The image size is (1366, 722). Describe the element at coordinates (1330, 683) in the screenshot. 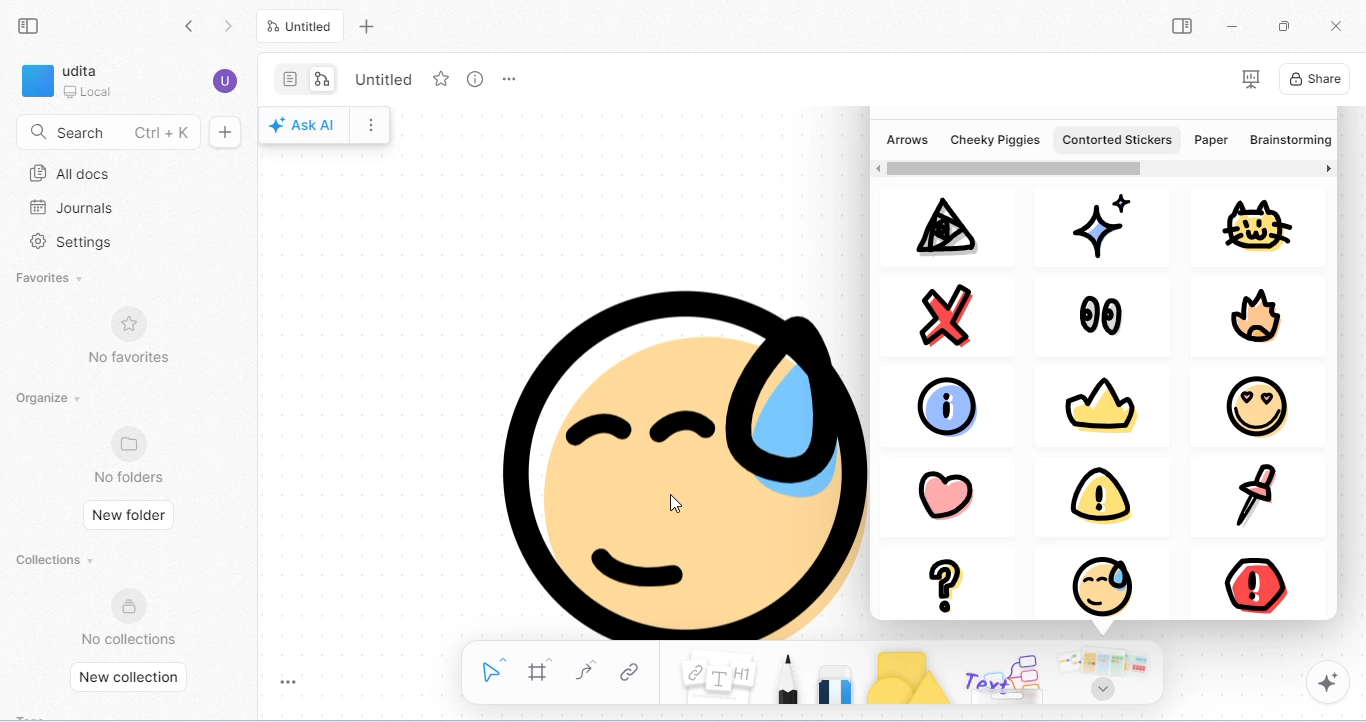

I see `AI assistant` at that location.